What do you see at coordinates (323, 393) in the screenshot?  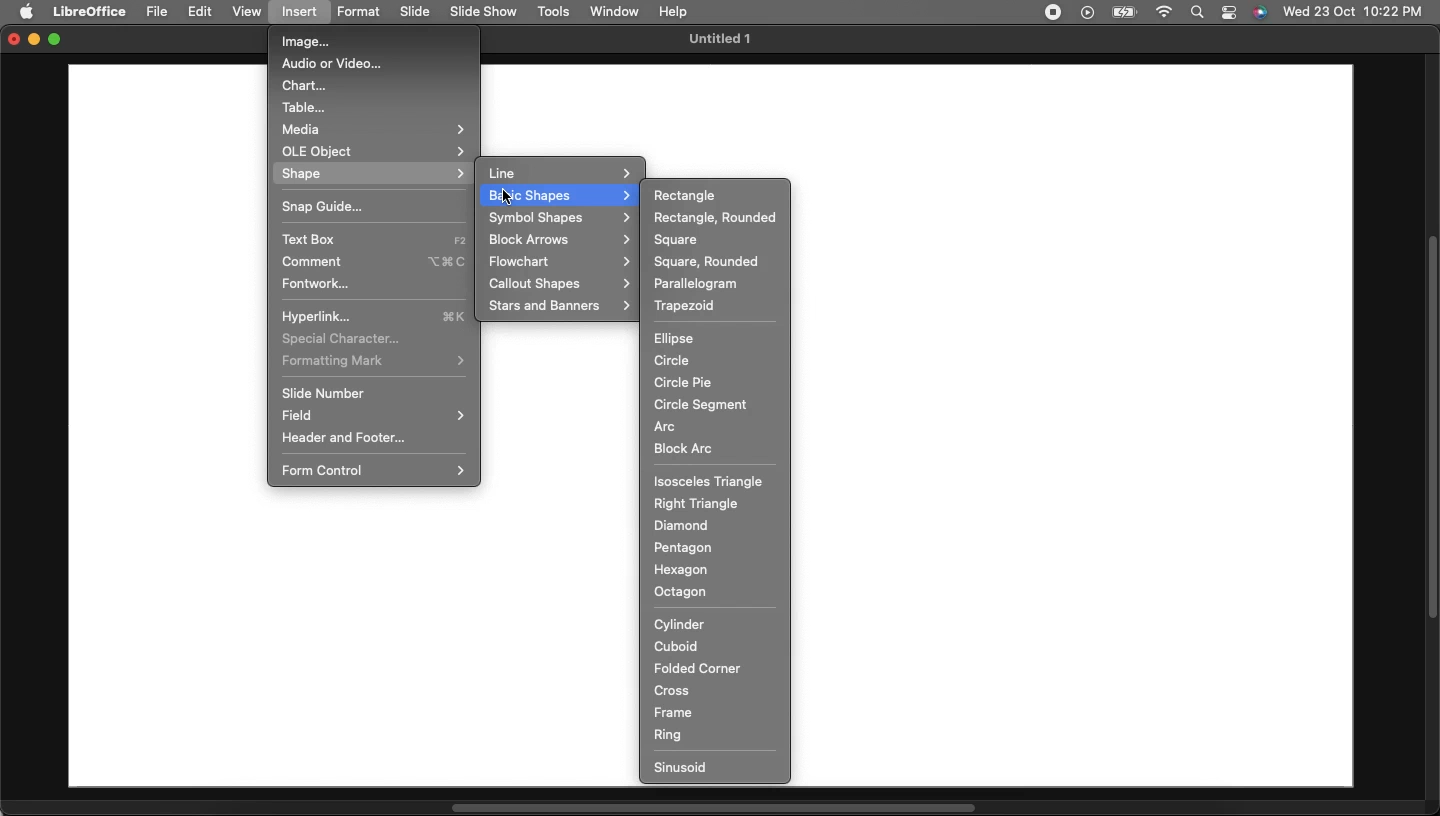 I see `Slide number` at bounding box center [323, 393].